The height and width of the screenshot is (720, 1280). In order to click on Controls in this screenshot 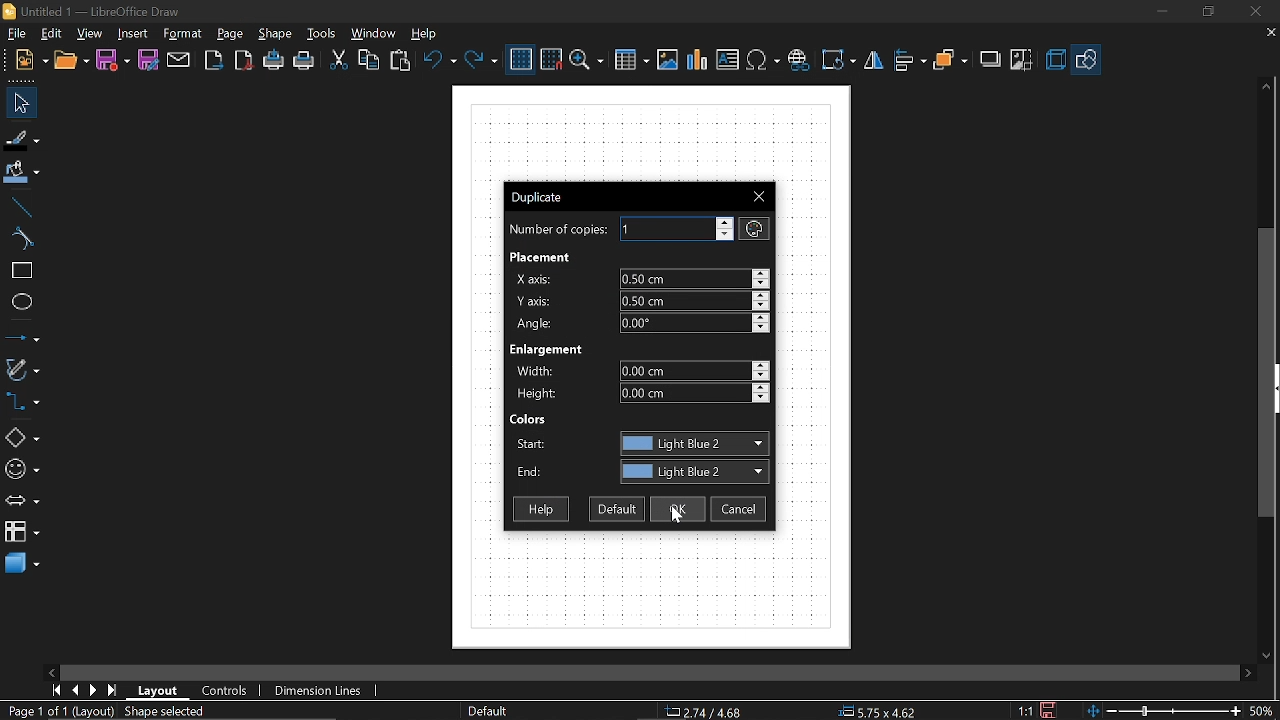, I will do `click(226, 691)`.